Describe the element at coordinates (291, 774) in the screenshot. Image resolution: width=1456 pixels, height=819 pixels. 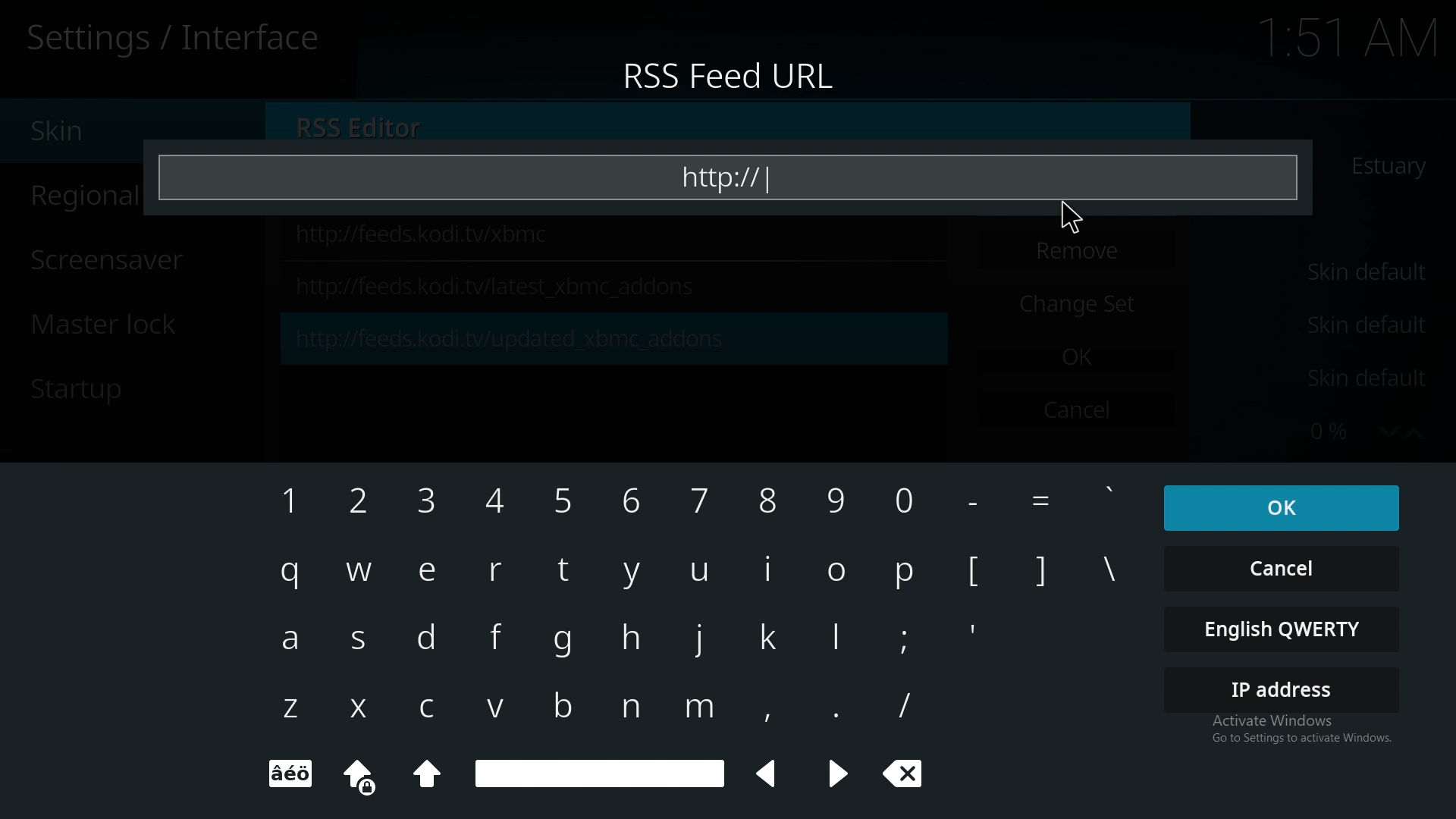
I see `keyboard Input` at that location.